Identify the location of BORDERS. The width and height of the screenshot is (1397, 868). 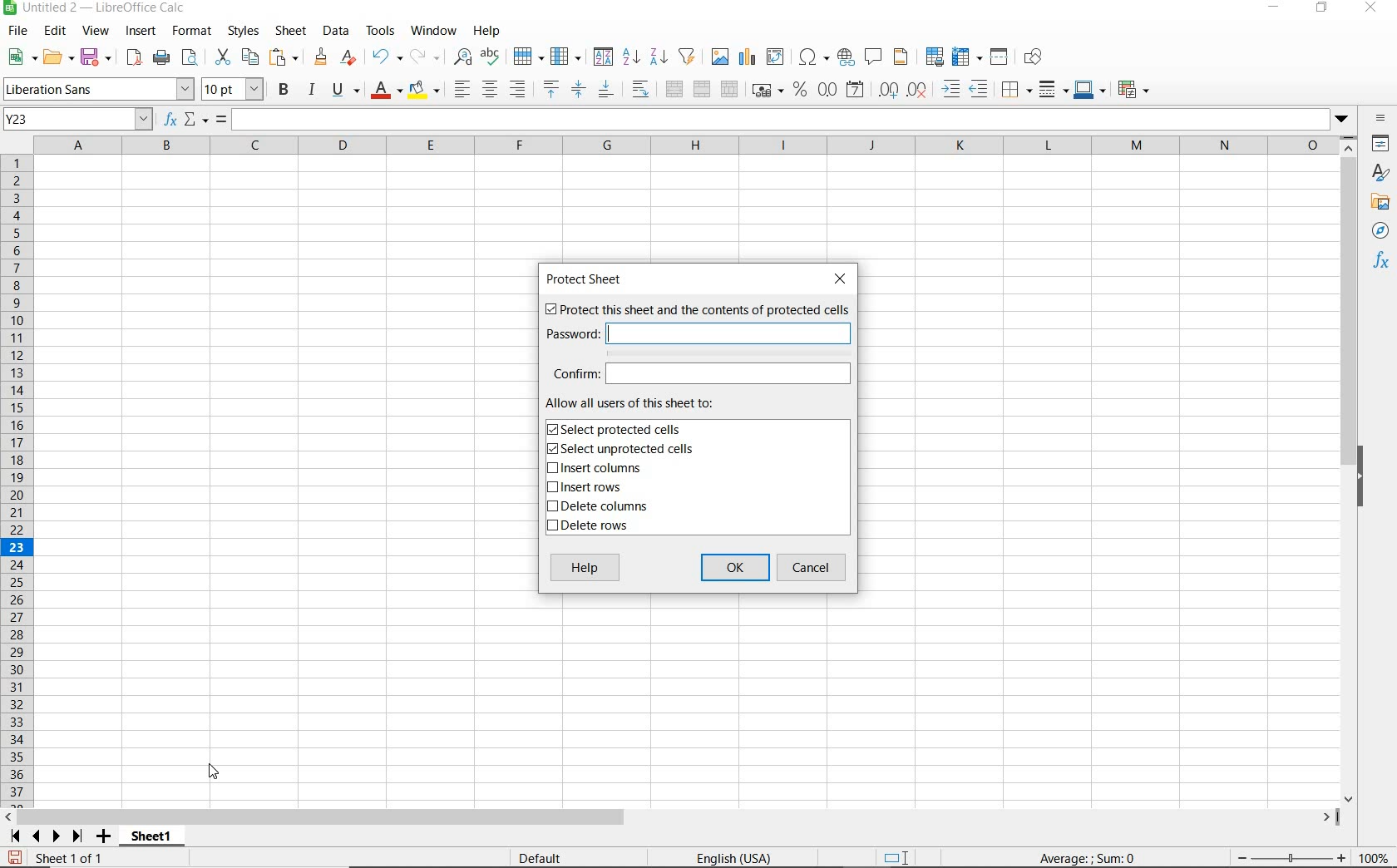
(1014, 91).